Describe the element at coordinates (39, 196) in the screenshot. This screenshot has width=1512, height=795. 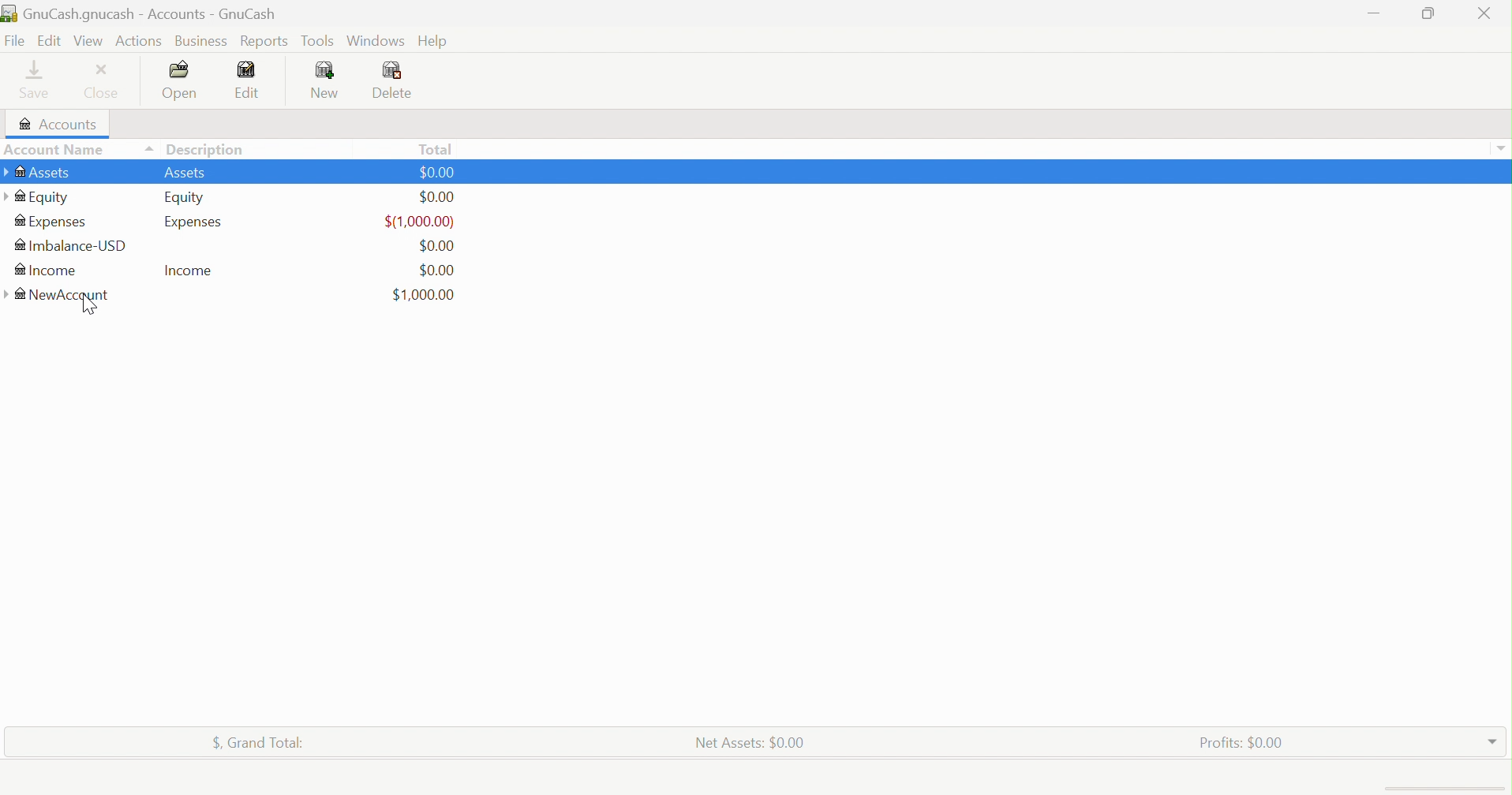
I see `Equity` at that location.